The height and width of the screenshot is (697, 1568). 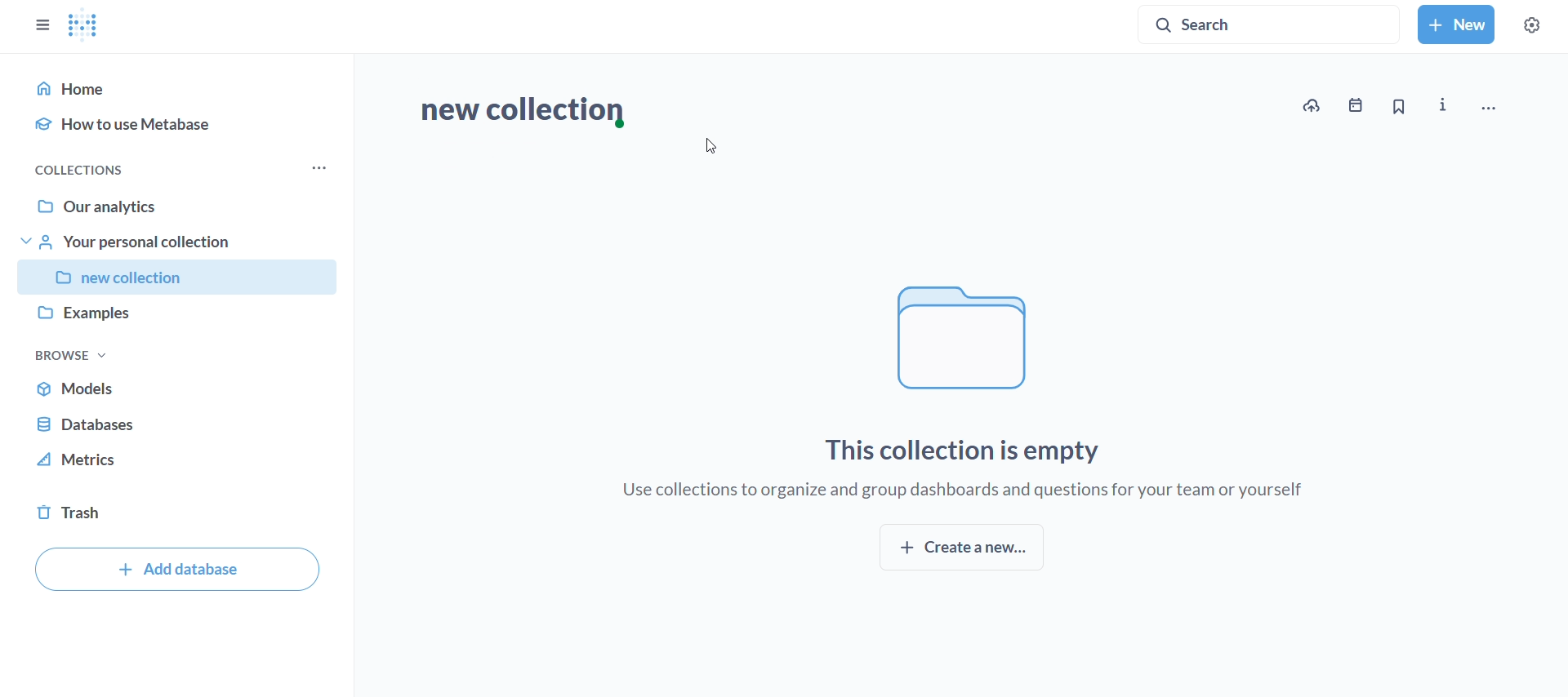 What do you see at coordinates (966, 491) in the screenshot?
I see `use collections to organize and group dashboards and questions for your team or yourself` at bounding box center [966, 491].